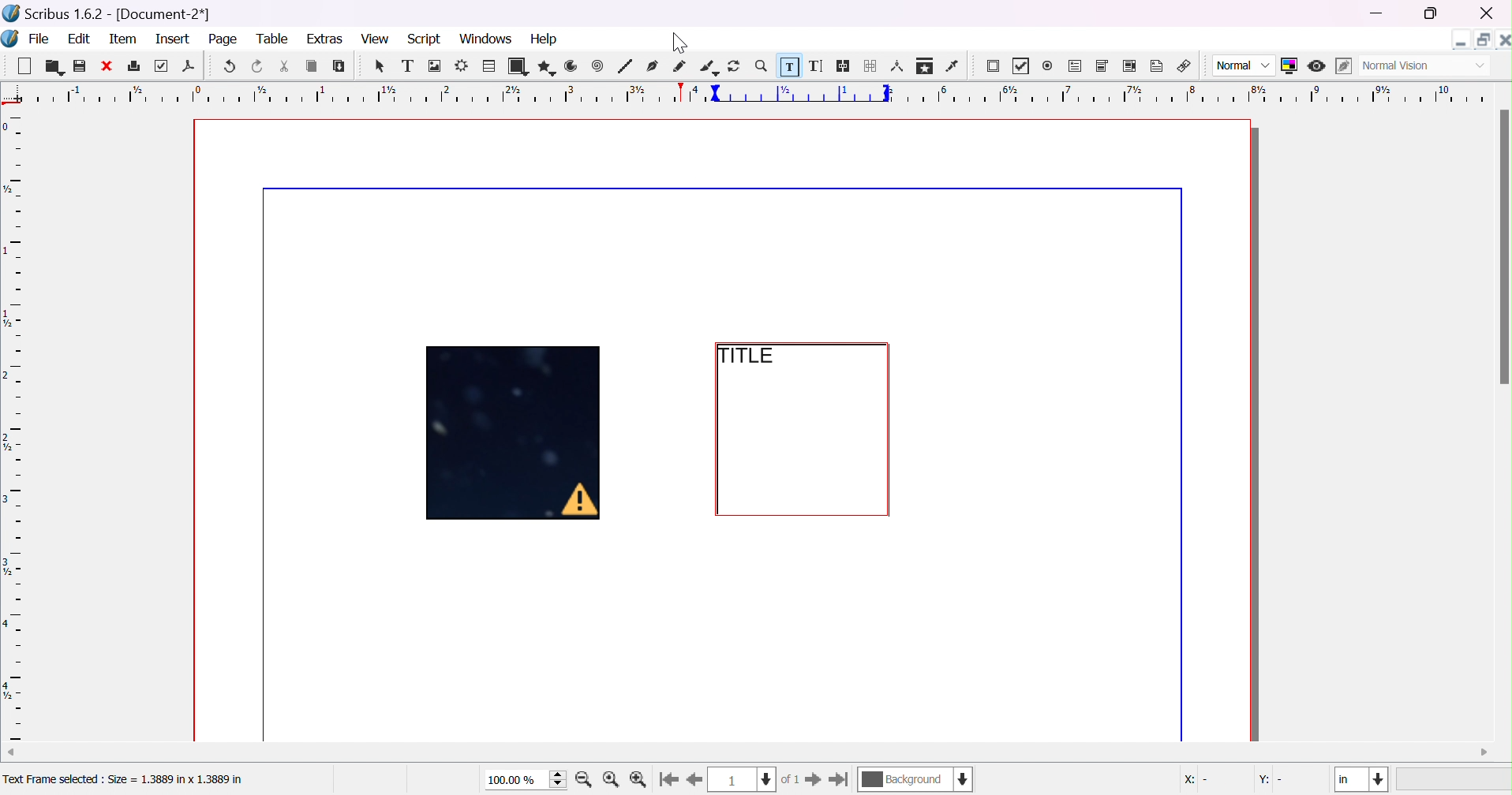 The image size is (1512, 795). I want to click on zoom out, so click(640, 780).